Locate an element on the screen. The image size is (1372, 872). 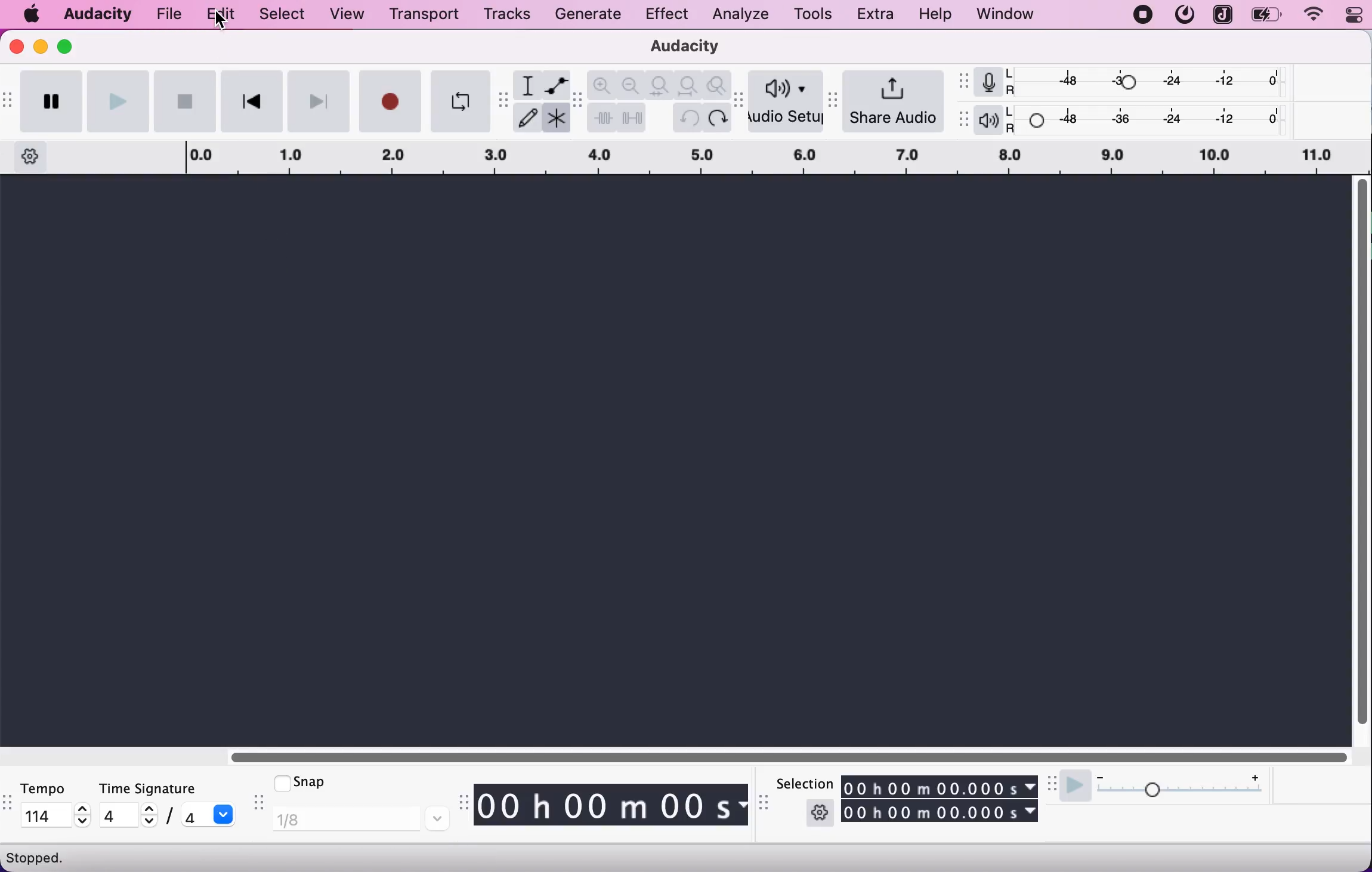
close is located at coordinates (17, 47).